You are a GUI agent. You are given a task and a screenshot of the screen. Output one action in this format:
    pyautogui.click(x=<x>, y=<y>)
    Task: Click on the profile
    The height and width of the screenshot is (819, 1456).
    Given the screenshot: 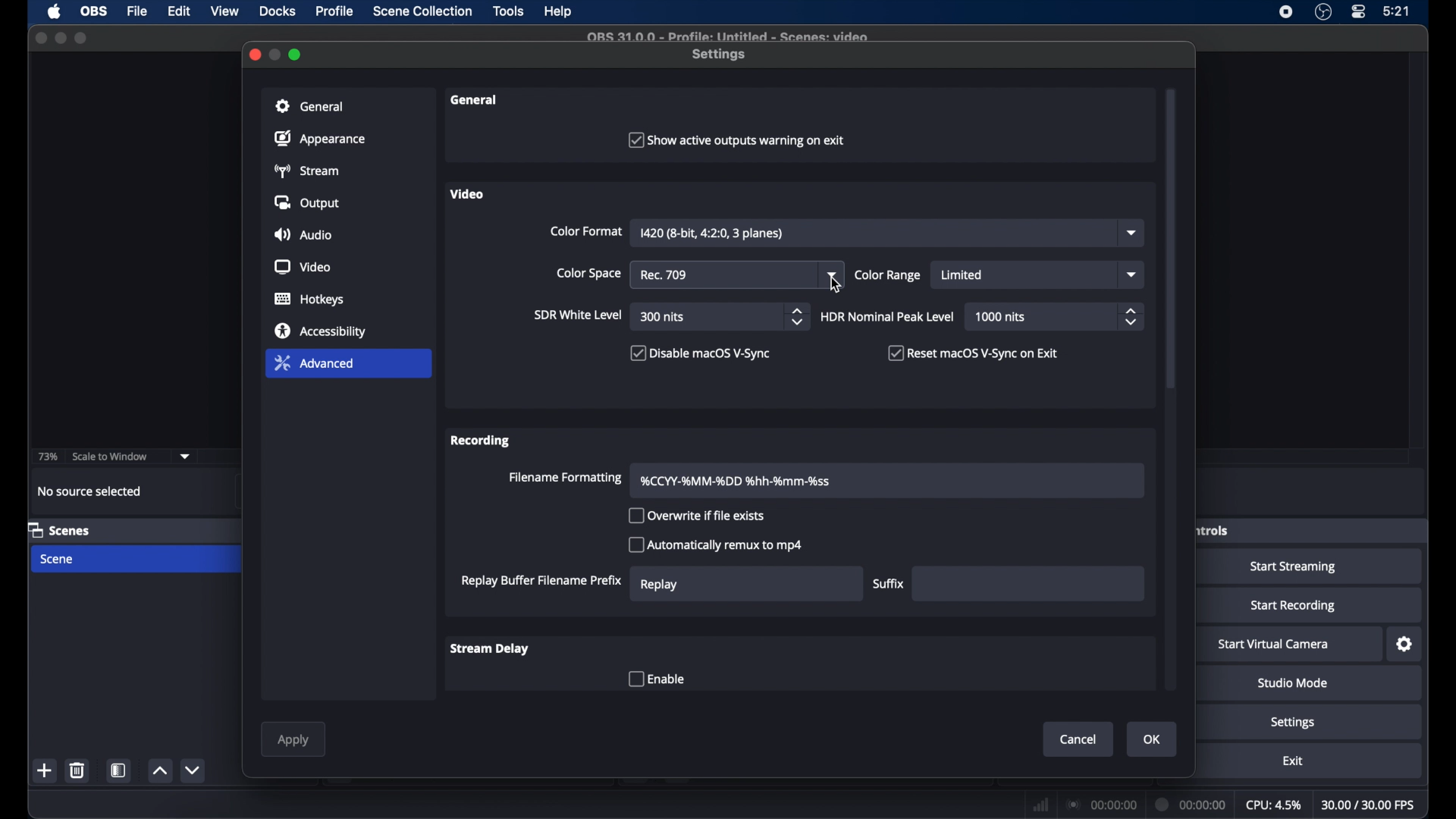 What is the action you would take?
    pyautogui.click(x=335, y=11)
    